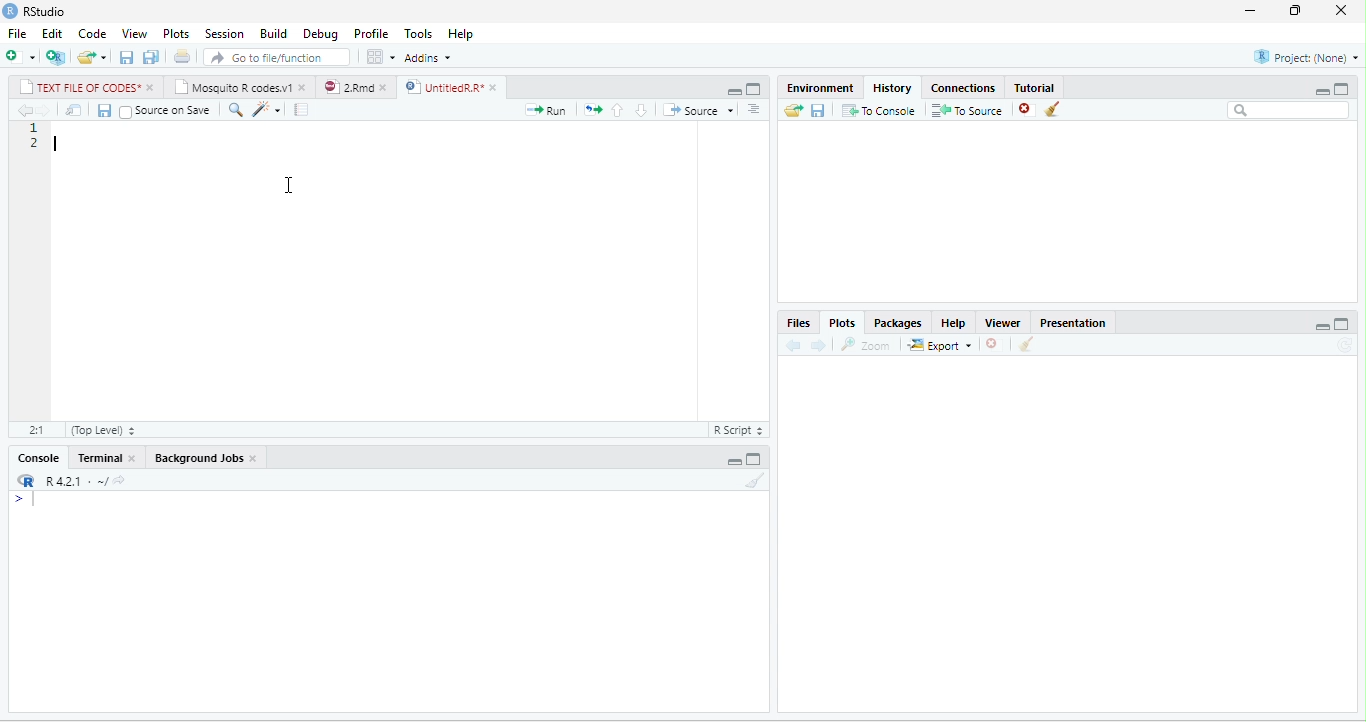  Describe the element at coordinates (753, 460) in the screenshot. I see `maximize` at that location.